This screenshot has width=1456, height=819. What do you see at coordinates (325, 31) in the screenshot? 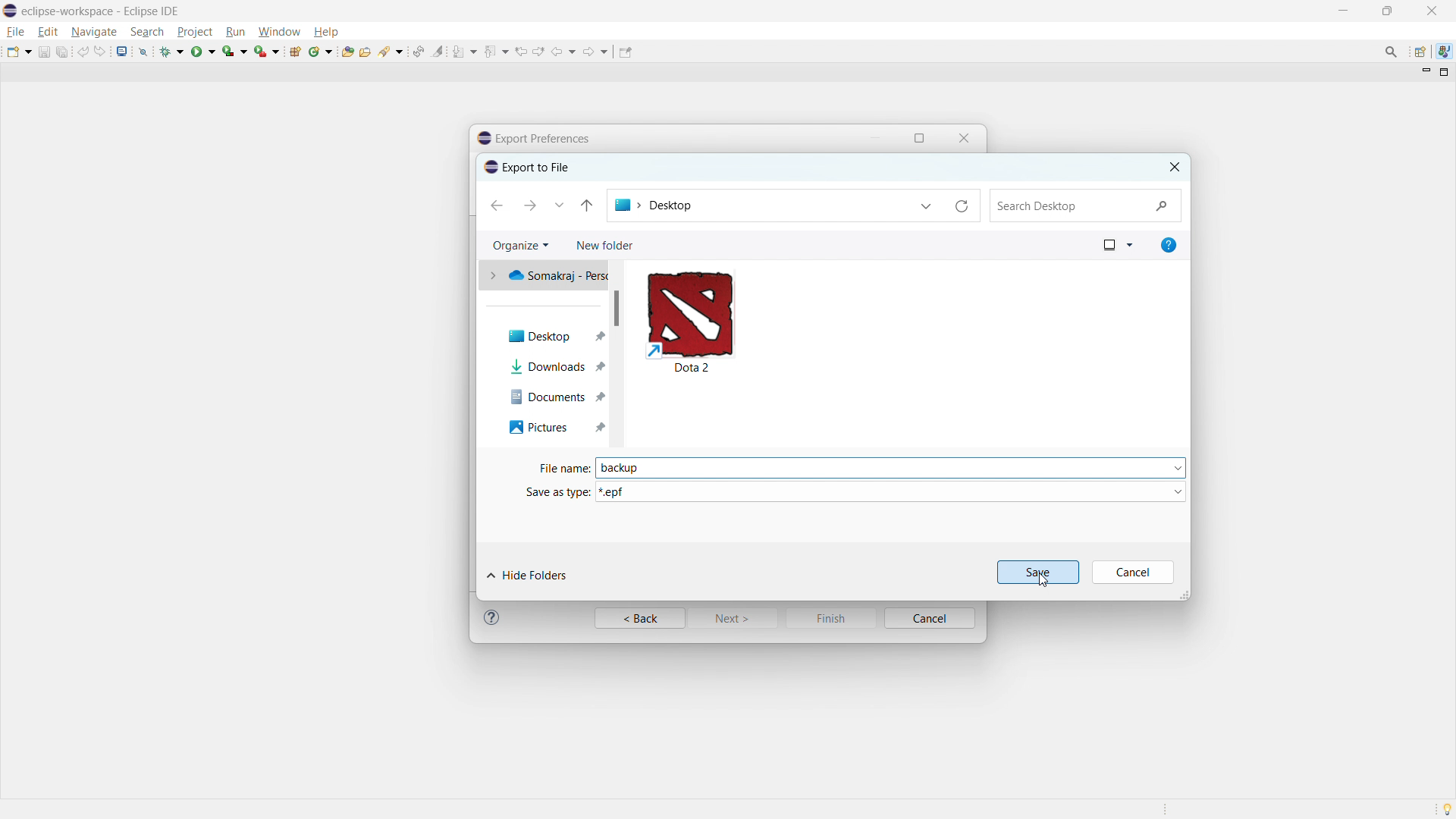
I see `help` at bounding box center [325, 31].